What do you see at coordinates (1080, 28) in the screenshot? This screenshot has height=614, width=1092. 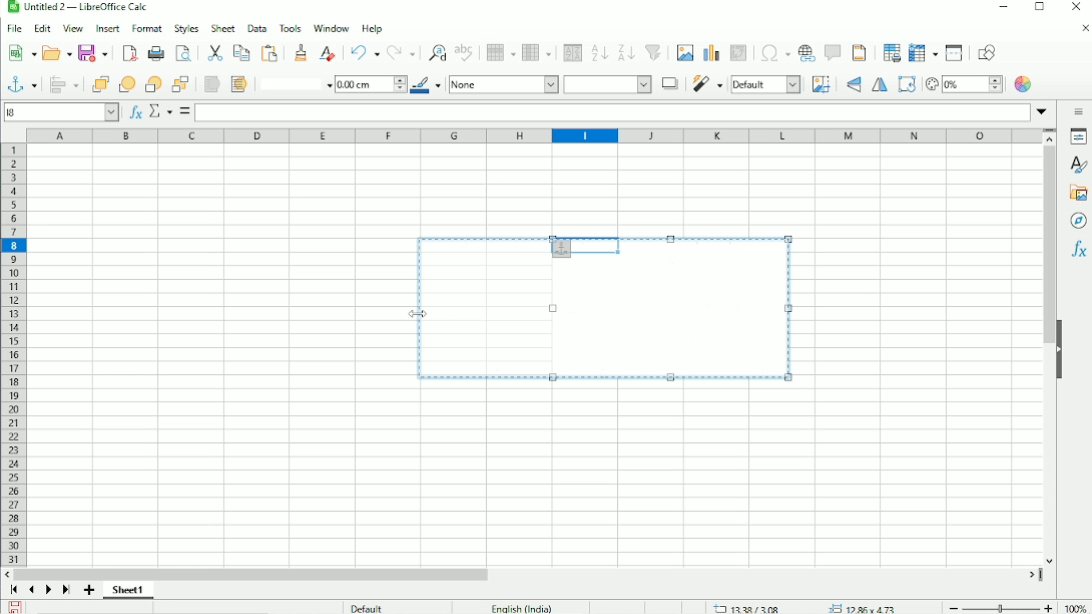 I see `Close document` at bounding box center [1080, 28].